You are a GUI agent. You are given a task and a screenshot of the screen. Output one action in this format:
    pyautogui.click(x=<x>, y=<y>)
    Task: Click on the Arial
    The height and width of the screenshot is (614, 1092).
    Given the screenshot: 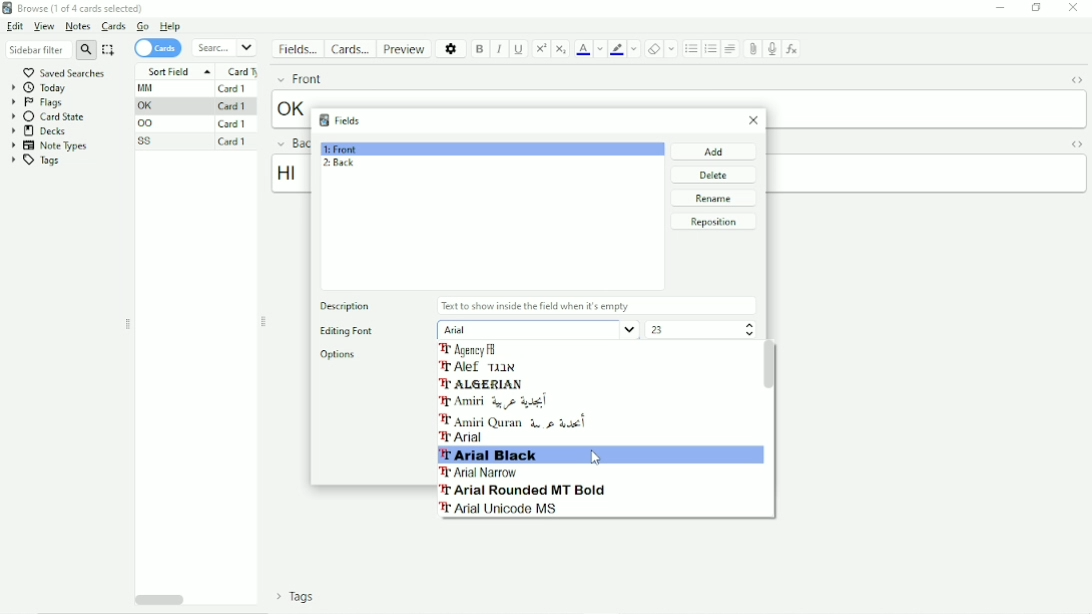 What is the action you would take?
    pyautogui.click(x=537, y=328)
    